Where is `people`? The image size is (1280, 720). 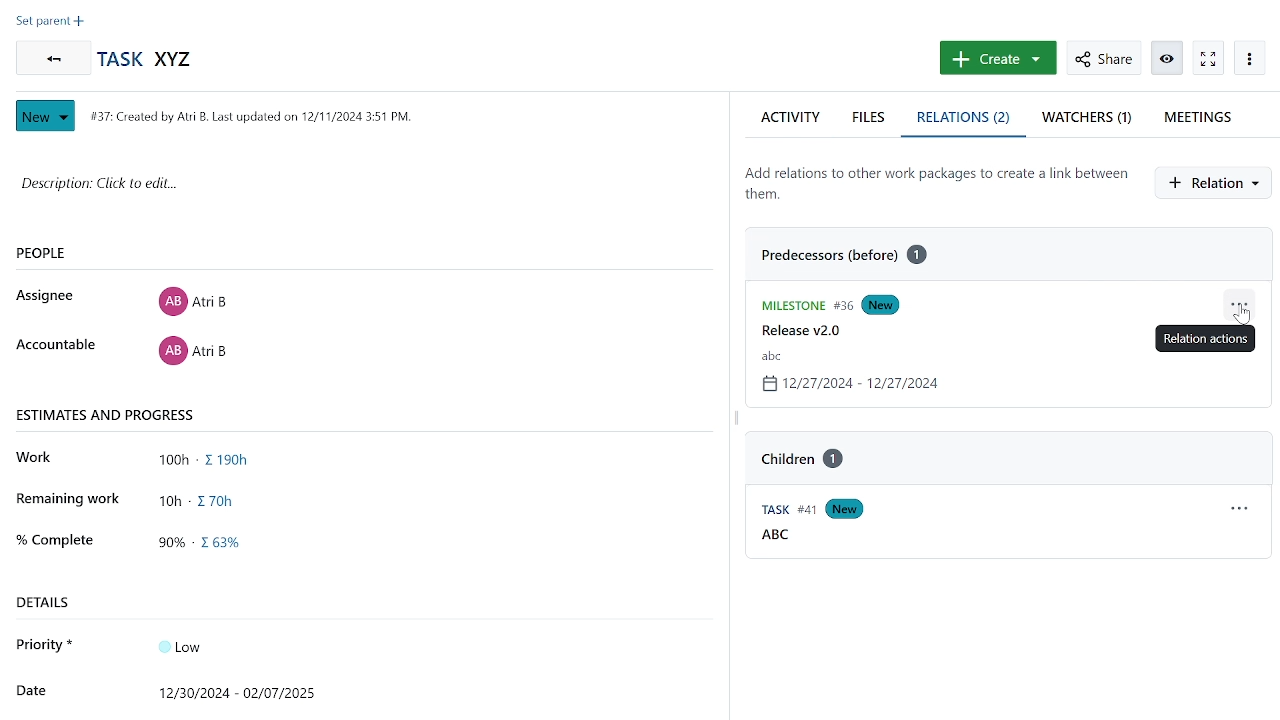
people is located at coordinates (74, 254).